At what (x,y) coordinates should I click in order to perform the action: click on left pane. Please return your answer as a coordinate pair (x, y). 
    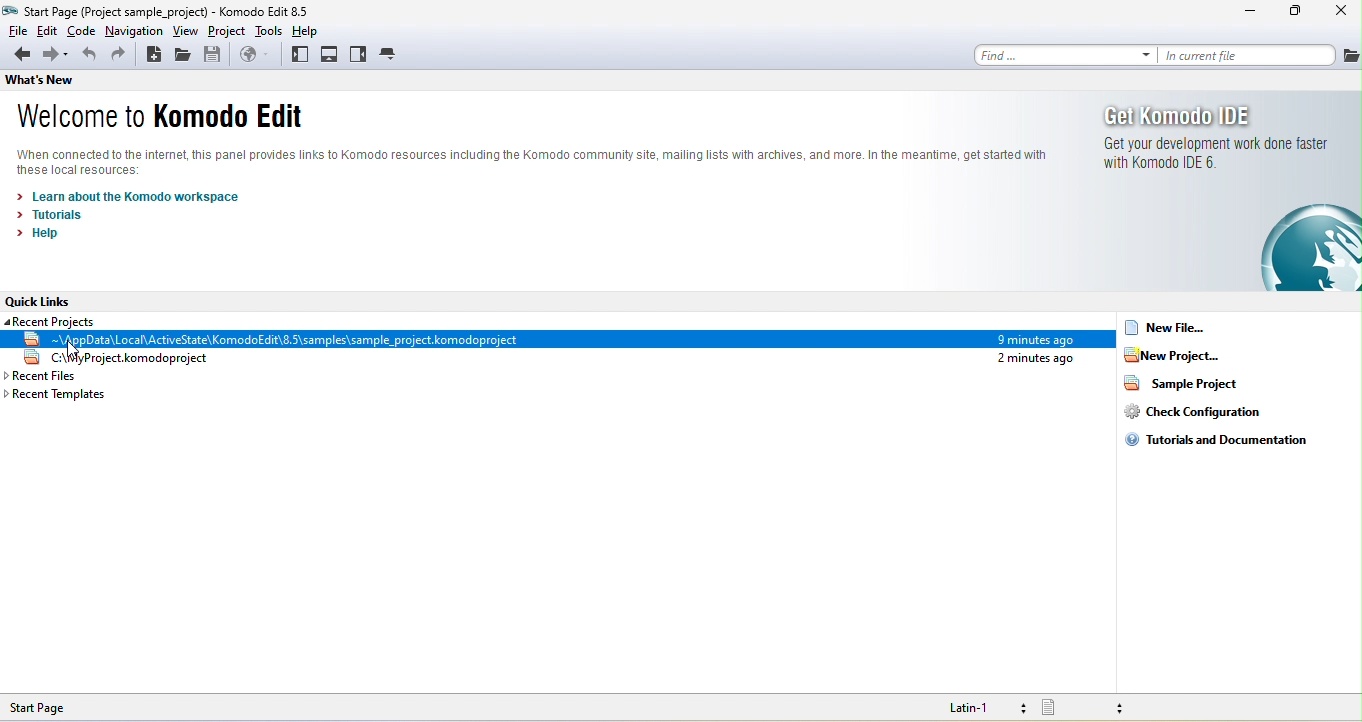
    Looking at the image, I should click on (299, 54).